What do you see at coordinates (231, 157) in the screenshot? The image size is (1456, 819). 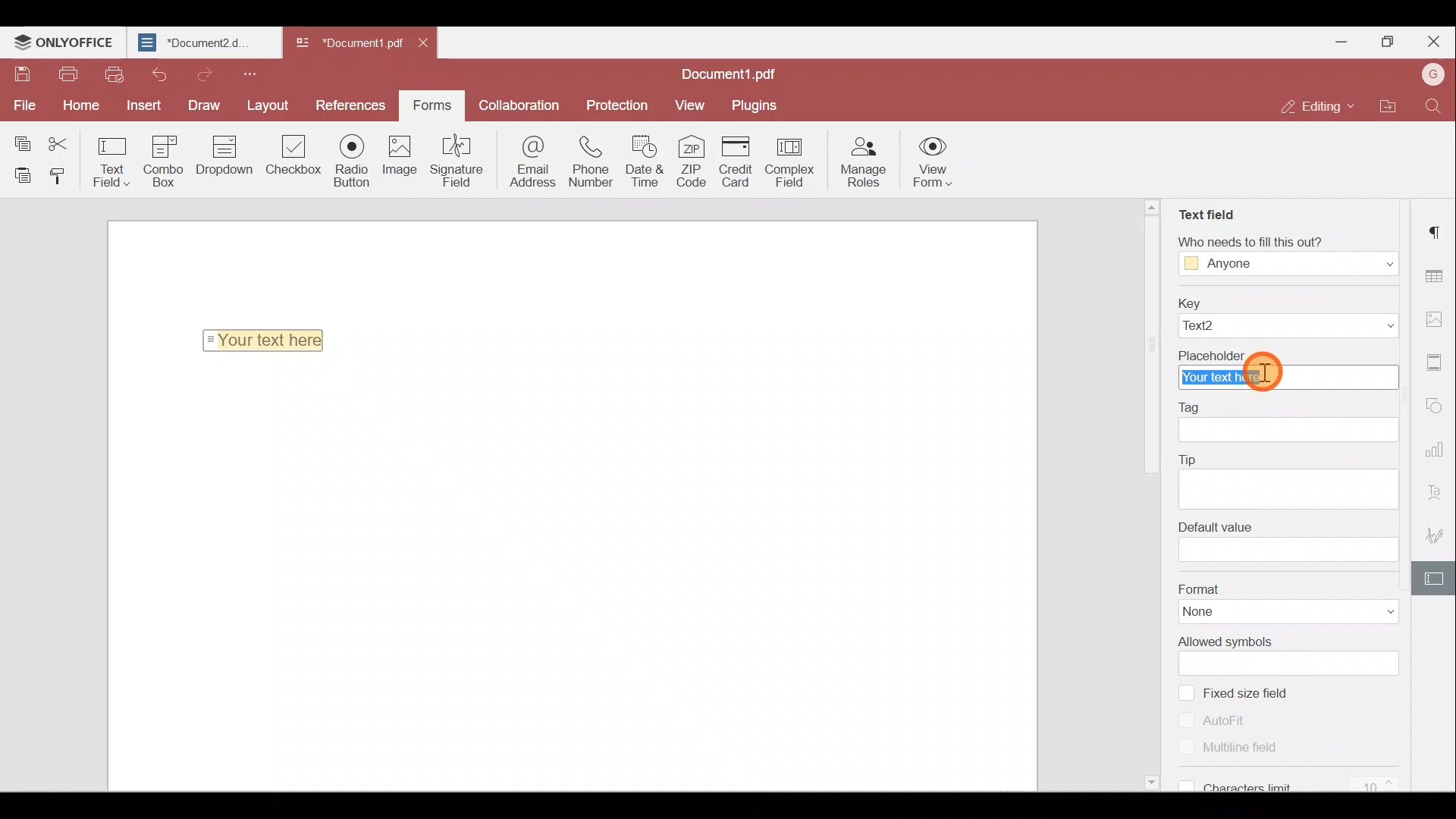 I see `Drop down` at bounding box center [231, 157].